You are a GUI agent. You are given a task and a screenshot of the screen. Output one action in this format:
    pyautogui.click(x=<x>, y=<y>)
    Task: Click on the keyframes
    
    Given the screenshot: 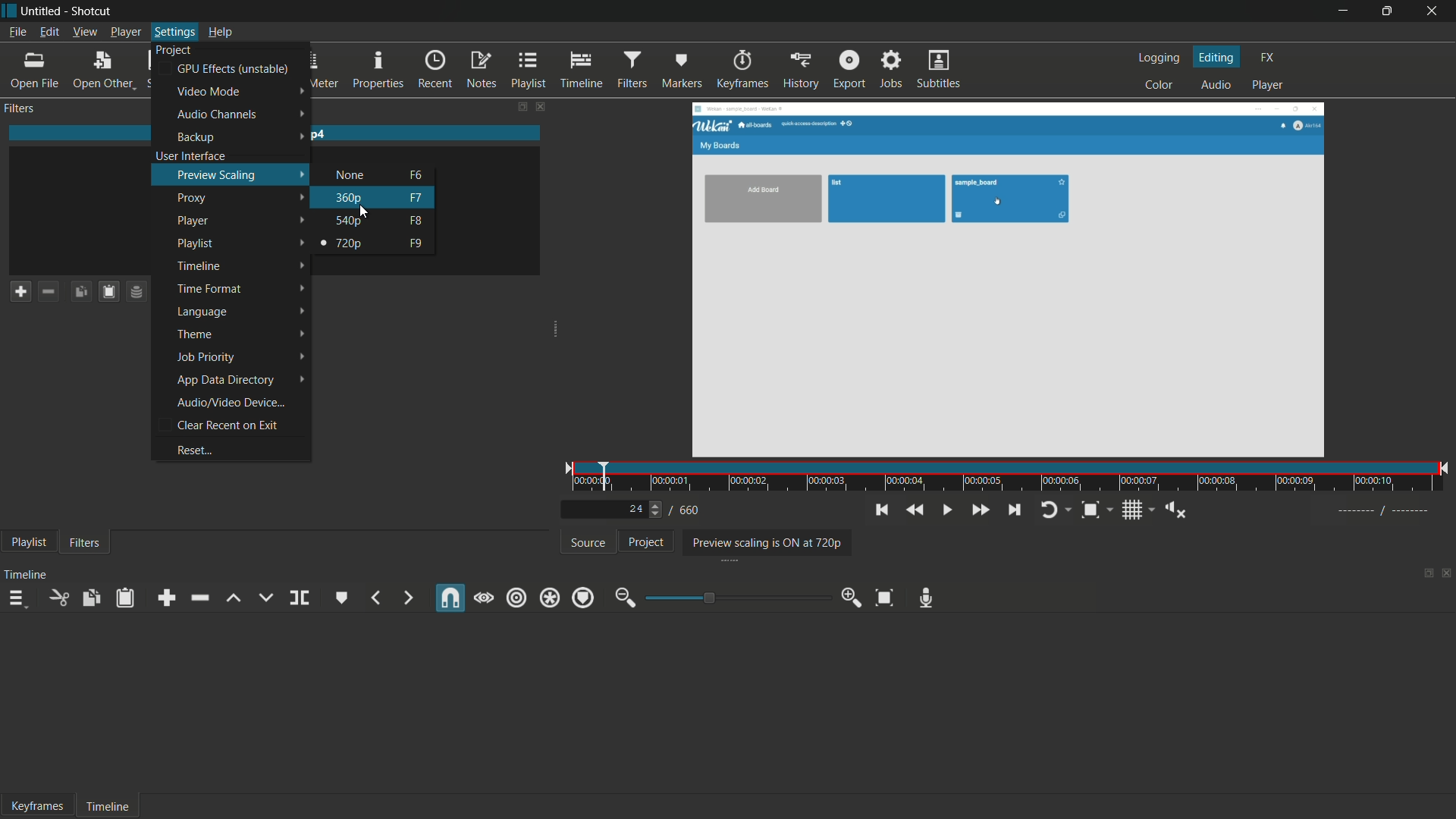 What is the action you would take?
    pyautogui.click(x=39, y=807)
    